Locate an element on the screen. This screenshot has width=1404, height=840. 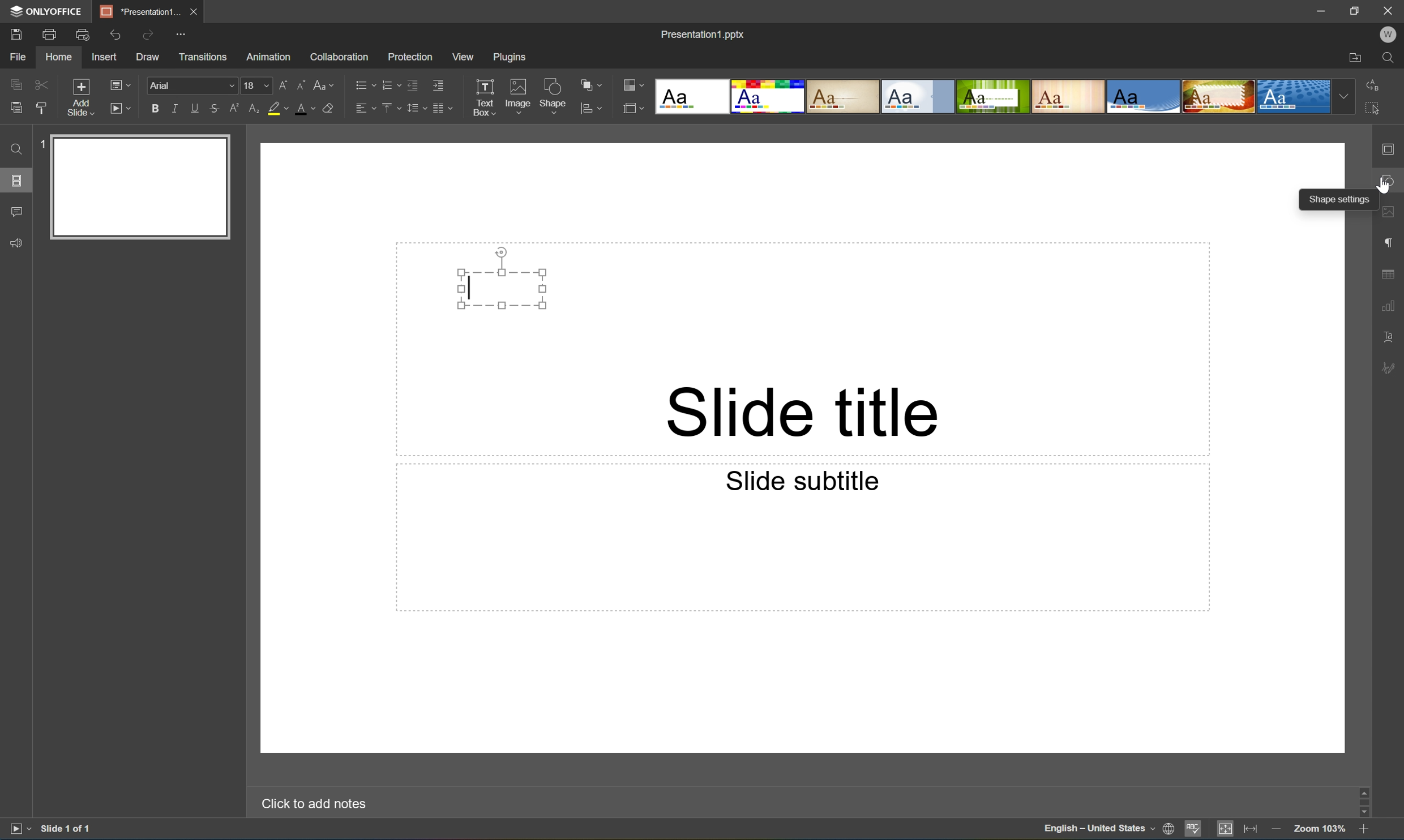
Highlight is located at coordinates (279, 109).